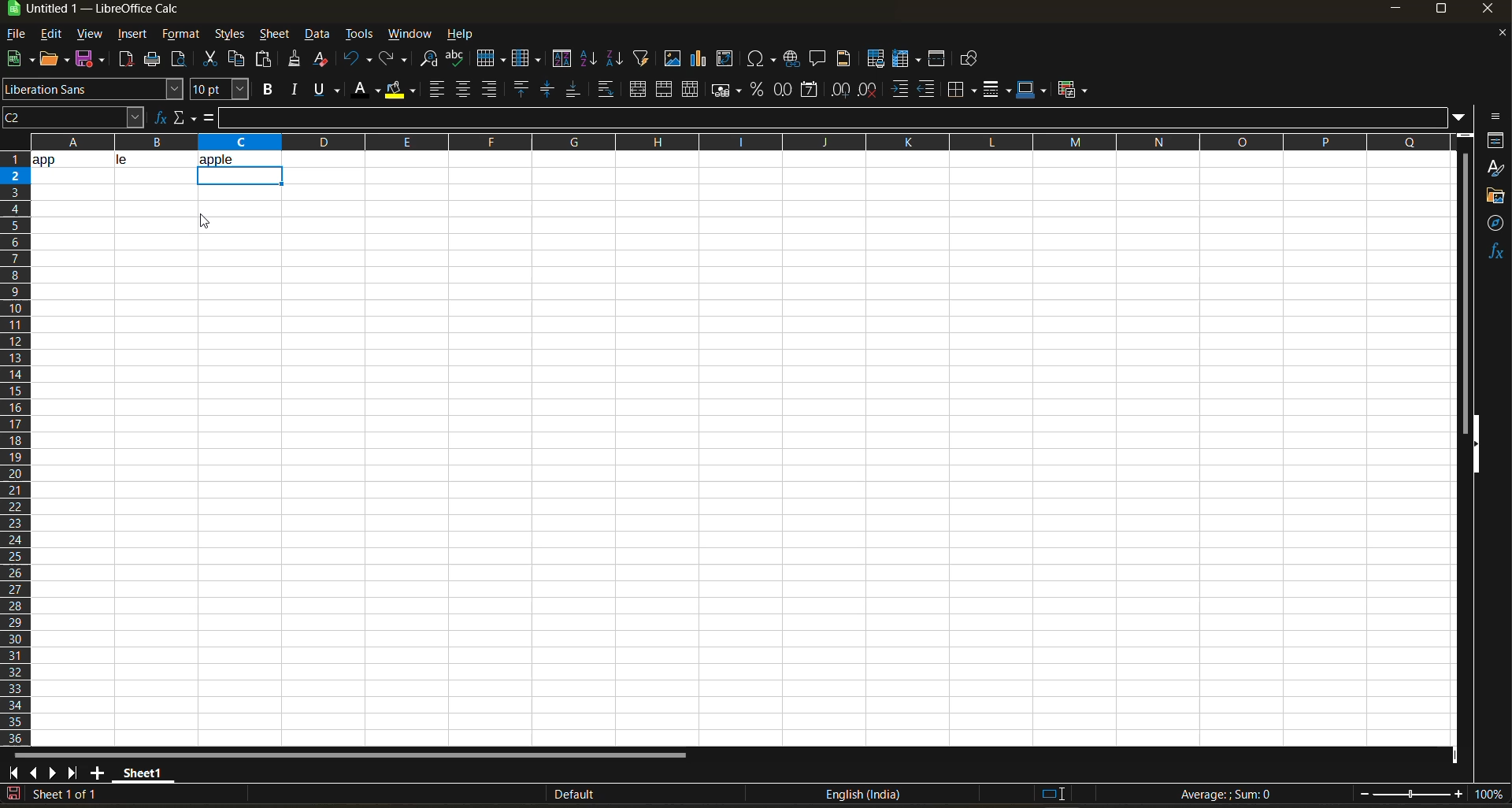 The width and height of the screenshot is (1512, 808). I want to click on app name and file name, so click(109, 12).